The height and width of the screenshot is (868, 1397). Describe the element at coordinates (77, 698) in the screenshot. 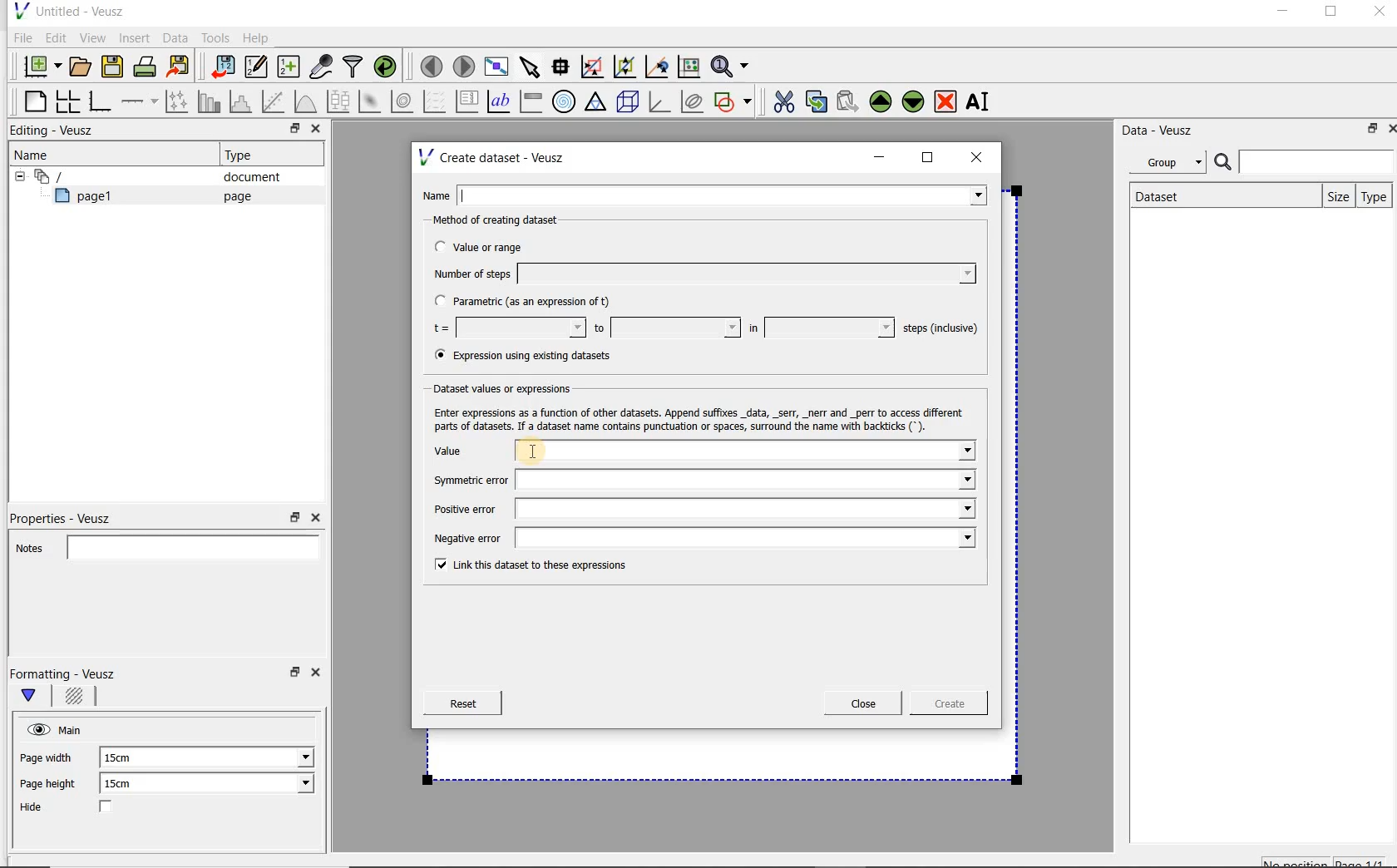

I see `Background` at that location.